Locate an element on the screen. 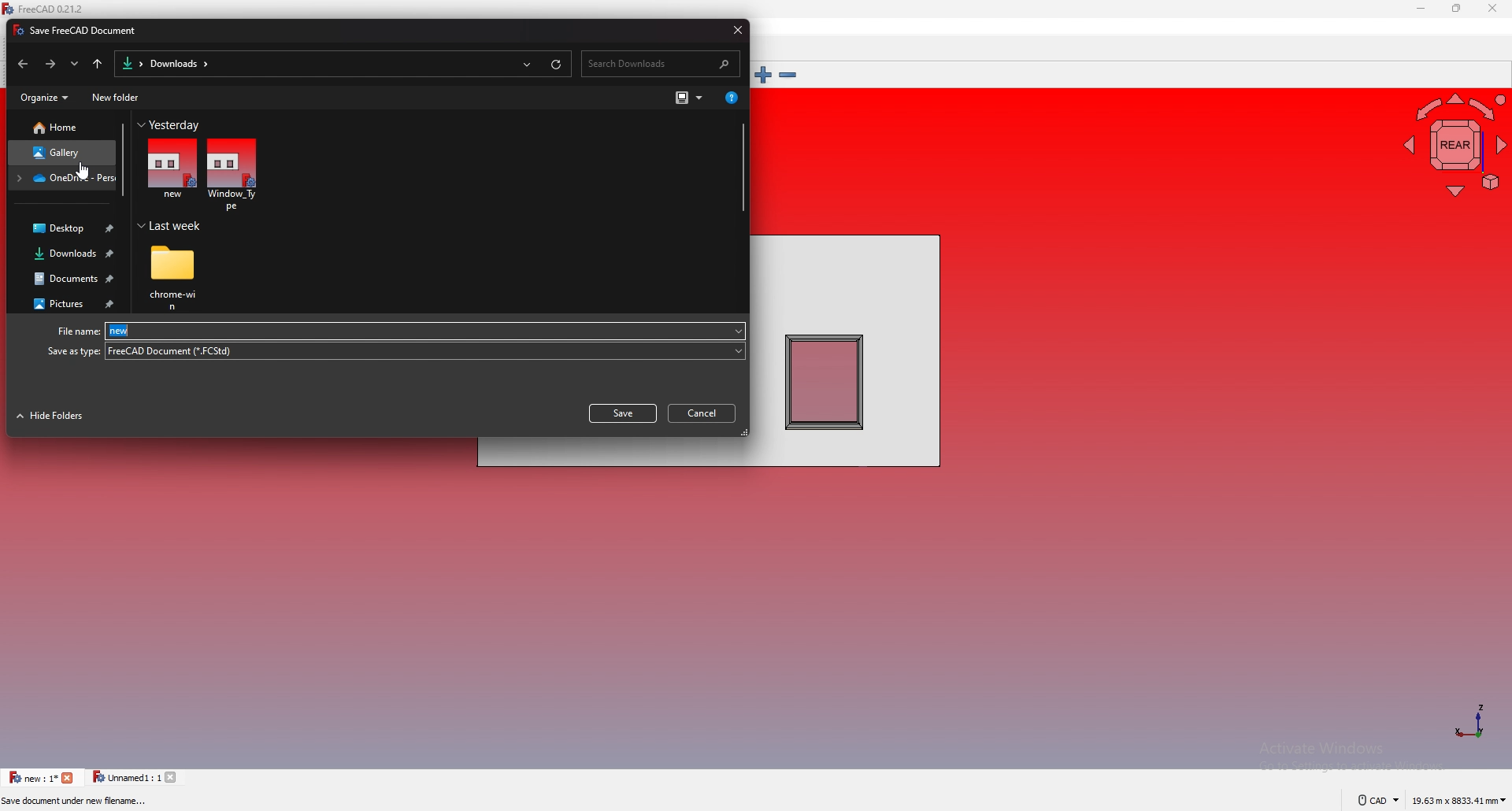 This screenshot has width=1512, height=811. organize is located at coordinates (45, 98).